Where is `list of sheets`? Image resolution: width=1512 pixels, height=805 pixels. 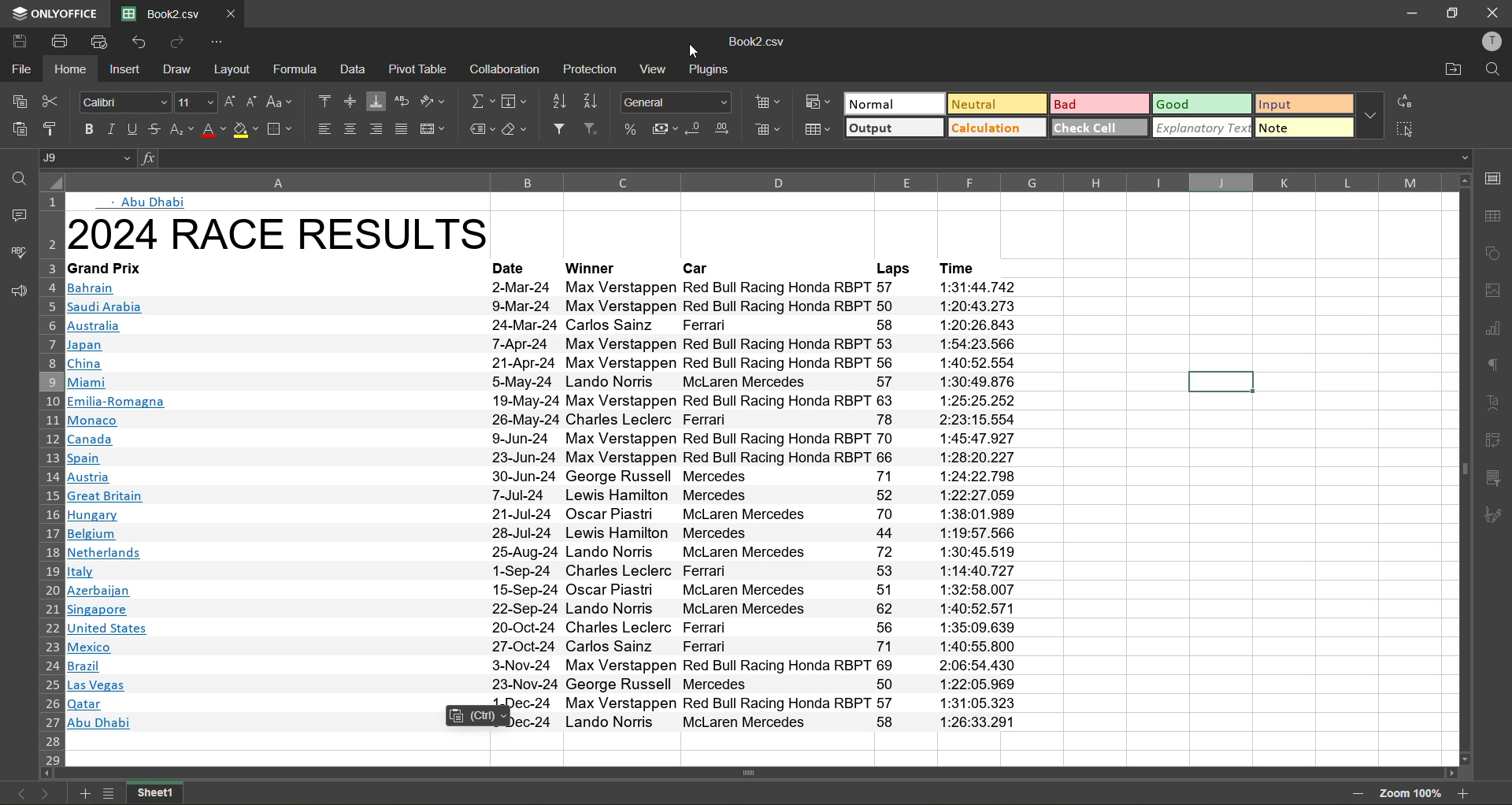 list of sheets is located at coordinates (107, 794).